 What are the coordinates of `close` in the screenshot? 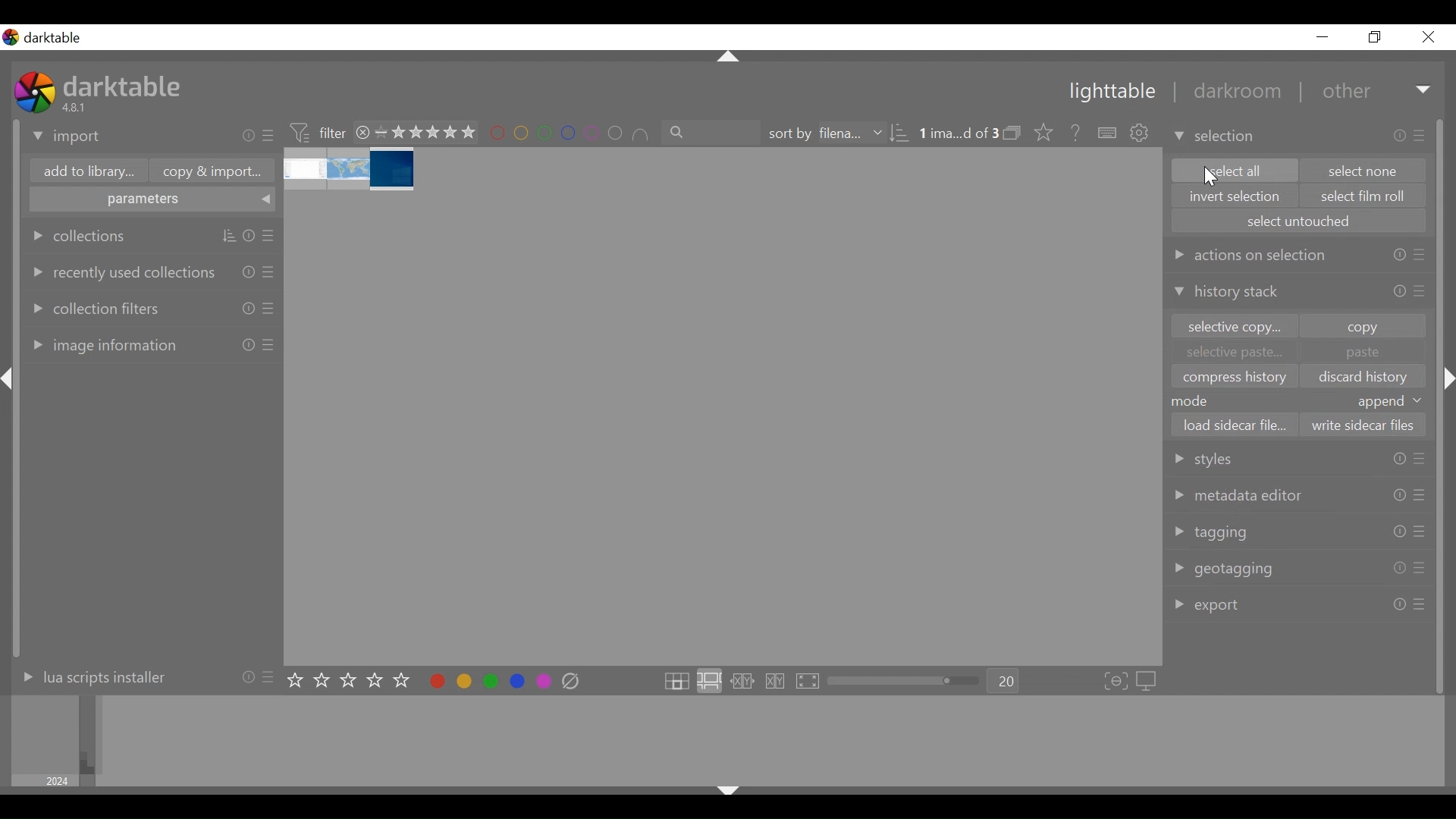 It's located at (1427, 37).